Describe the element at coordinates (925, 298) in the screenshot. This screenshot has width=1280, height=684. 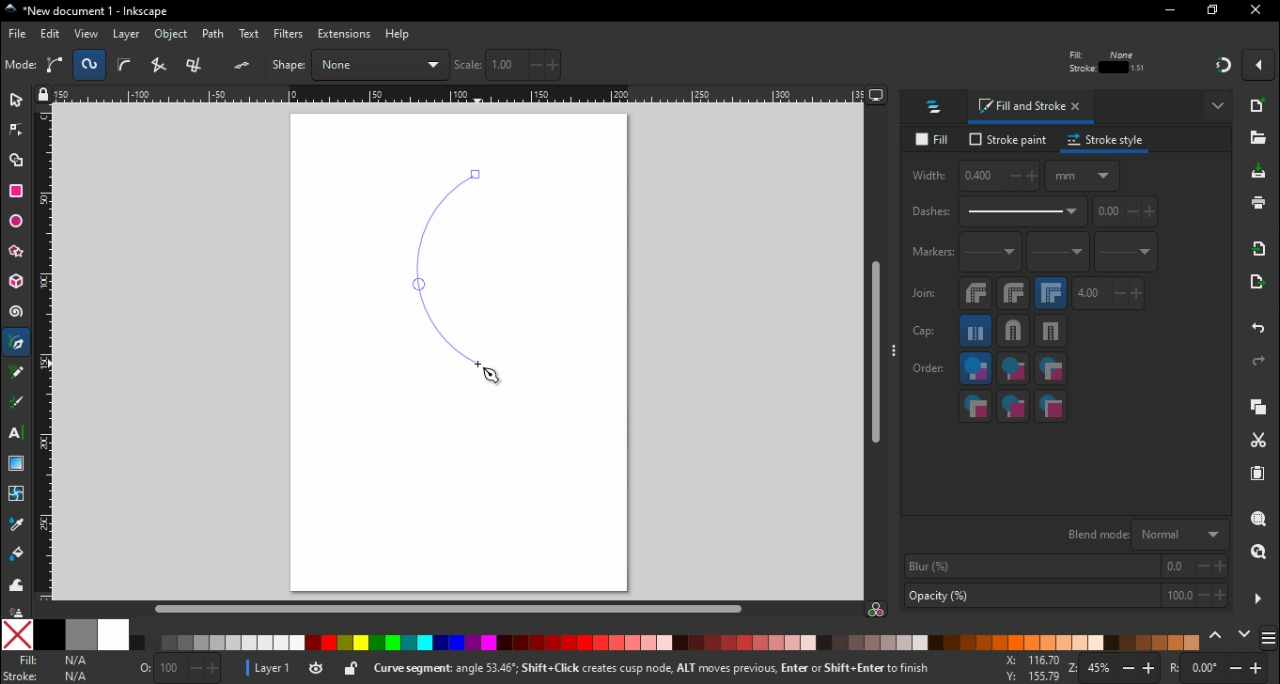
I see `join` at that location.